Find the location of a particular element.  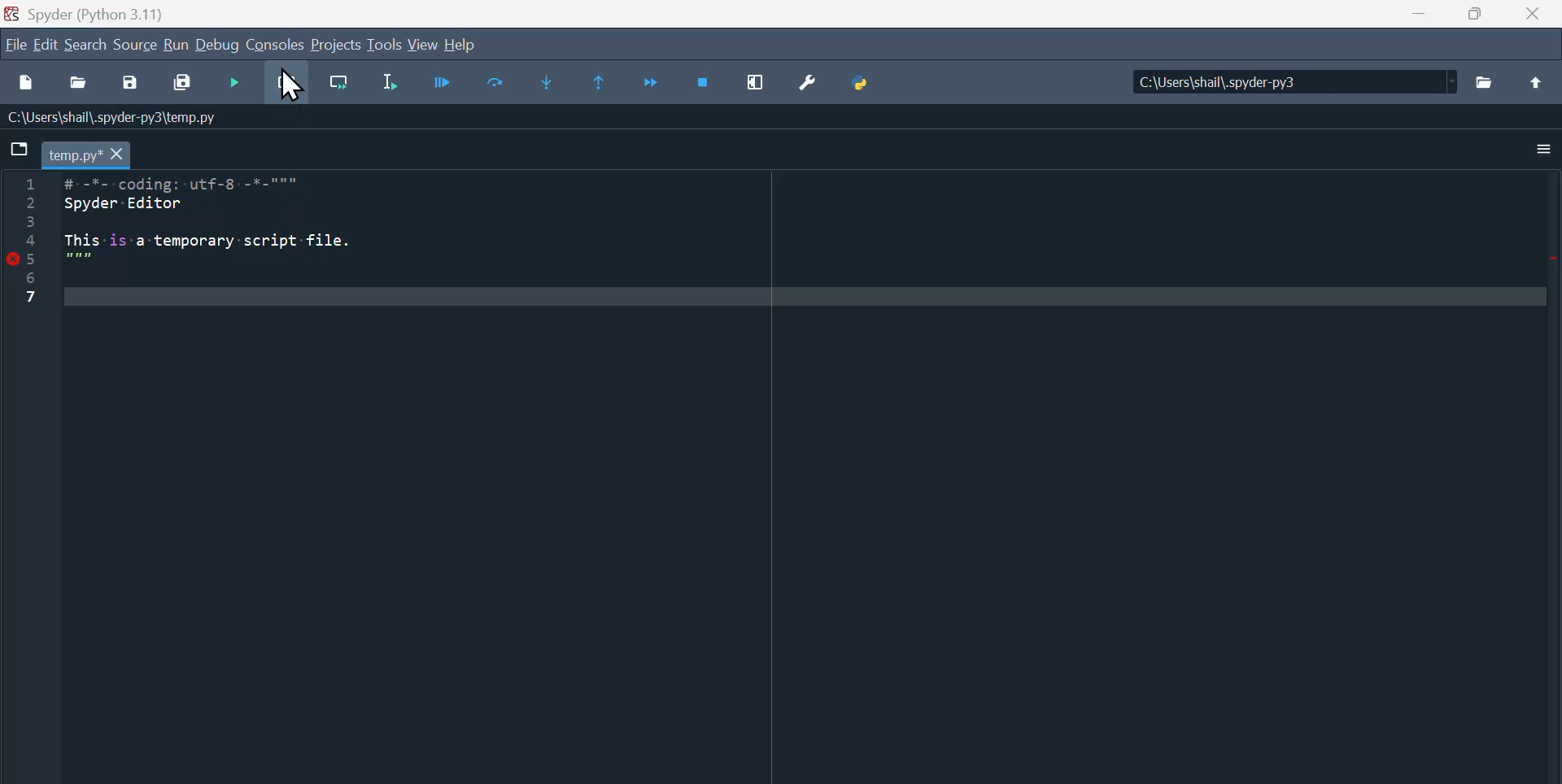

C:\Users\shail\.spyder-py3\temp.py is located at coordinates (129, 118).